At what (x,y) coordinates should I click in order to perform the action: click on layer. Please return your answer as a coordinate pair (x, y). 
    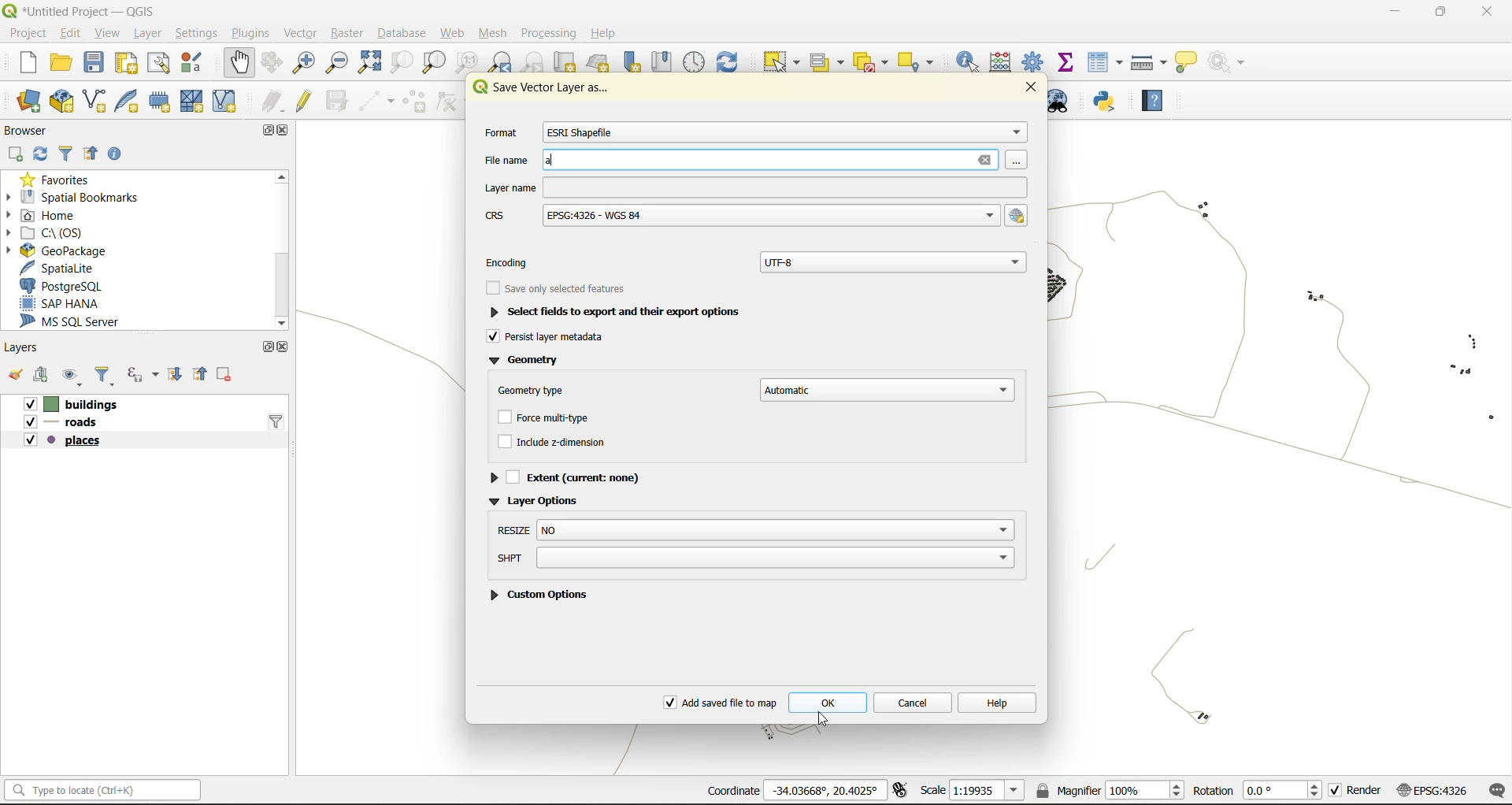
    Looking at the image, I should click on (147, 33).